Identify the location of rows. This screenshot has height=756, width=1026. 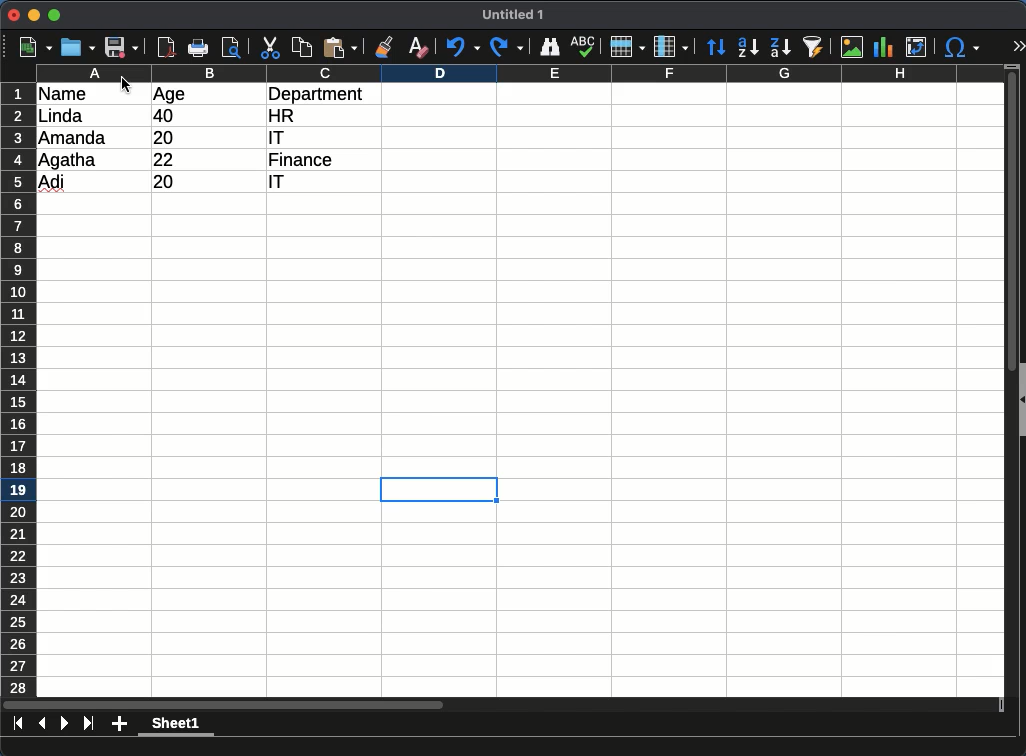
(626, 47).